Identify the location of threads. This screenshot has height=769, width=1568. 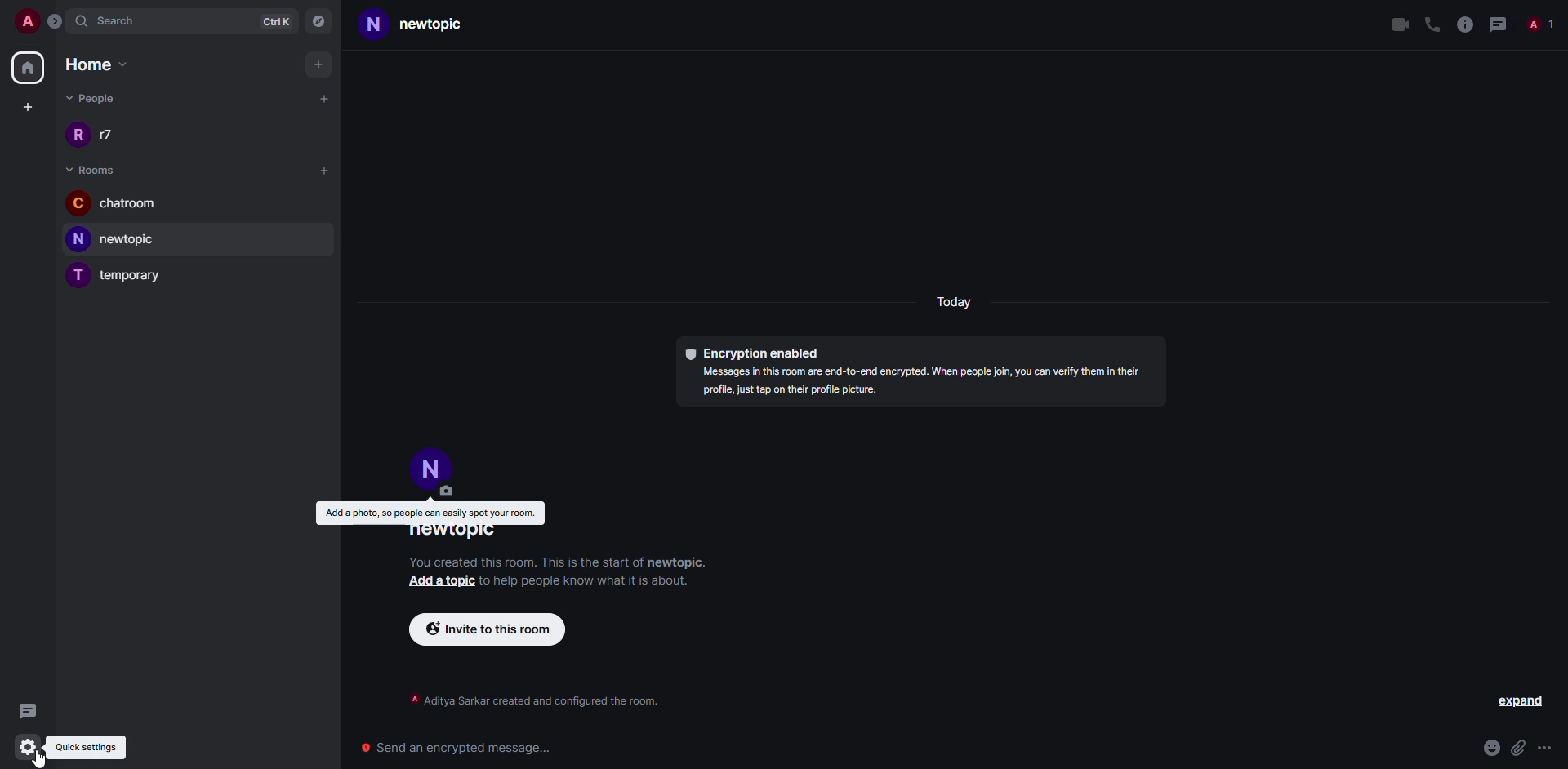
(1498, 24).